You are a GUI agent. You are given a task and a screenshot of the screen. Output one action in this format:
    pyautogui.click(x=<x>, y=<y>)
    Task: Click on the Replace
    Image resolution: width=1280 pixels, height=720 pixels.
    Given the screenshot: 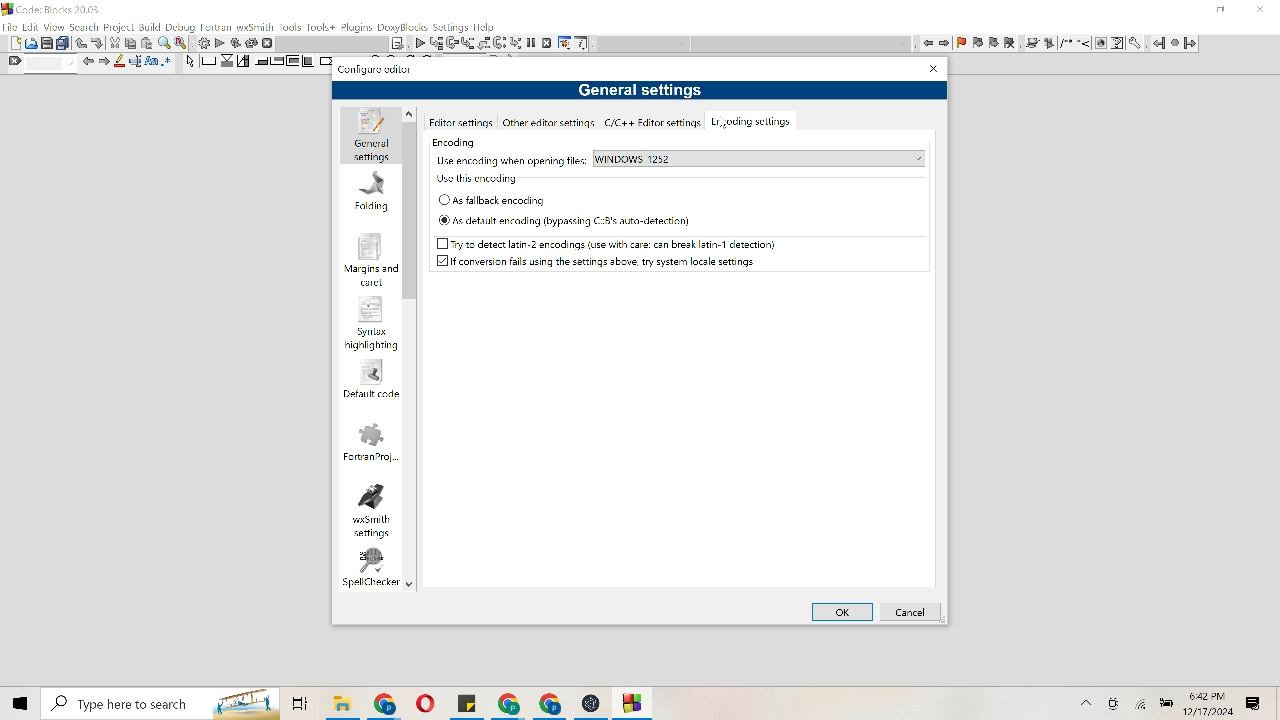 What is the action you would take?
    pyautogui.click(x=182, y=43)
    